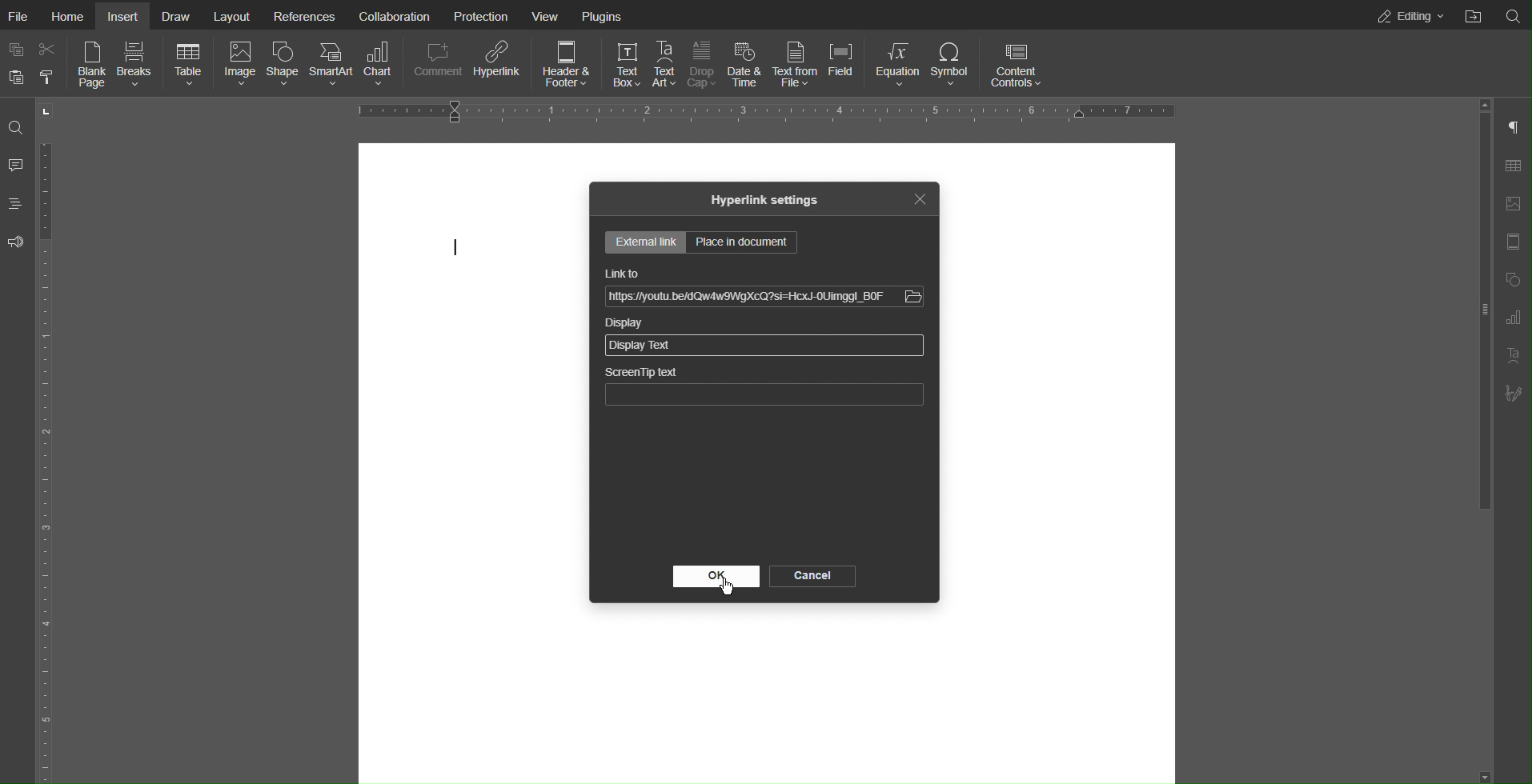 The height and width of the screenshot is (784, 1532). I want to click on Link to, so click(621, 272).